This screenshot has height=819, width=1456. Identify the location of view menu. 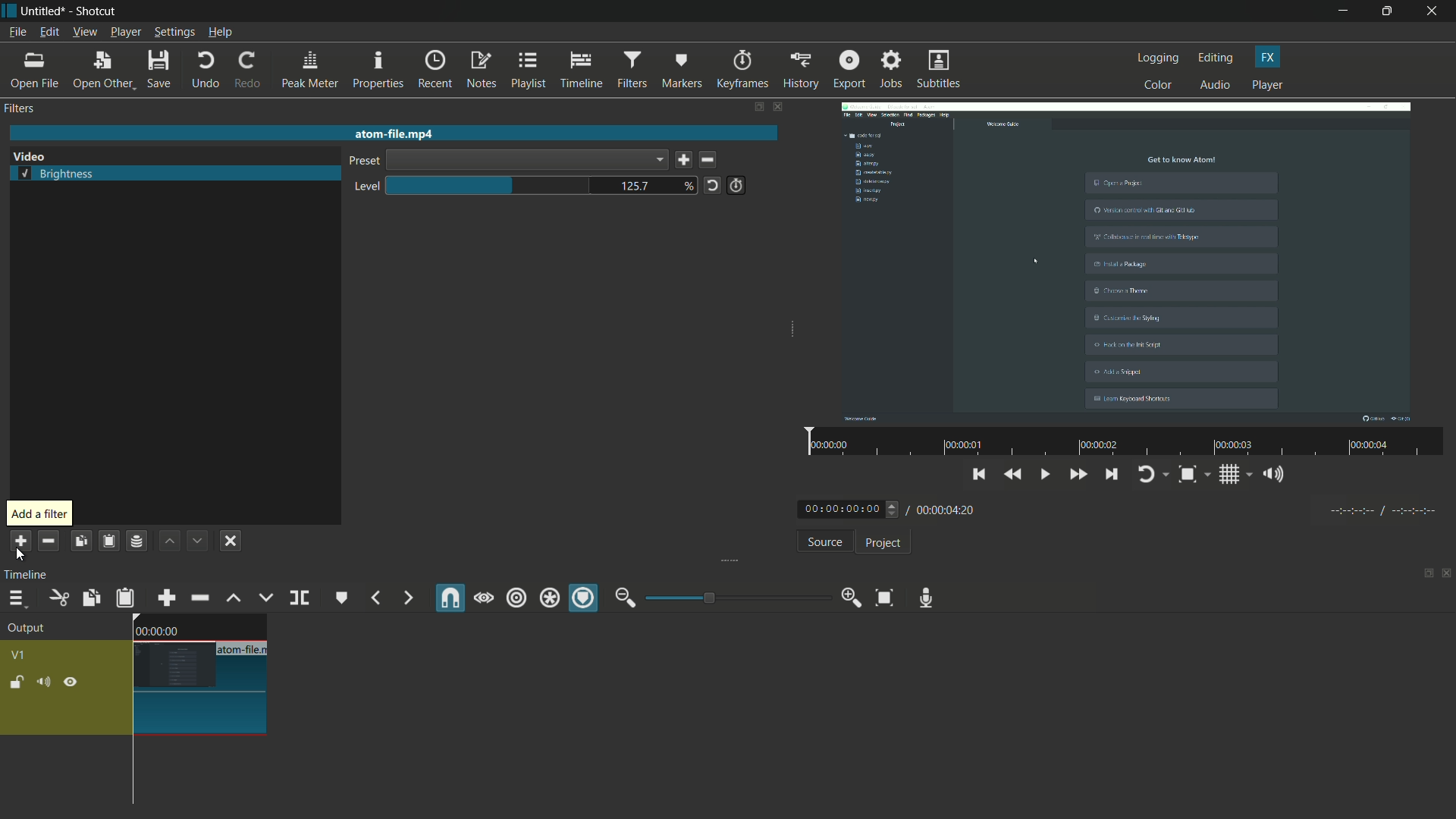
(84, 32).